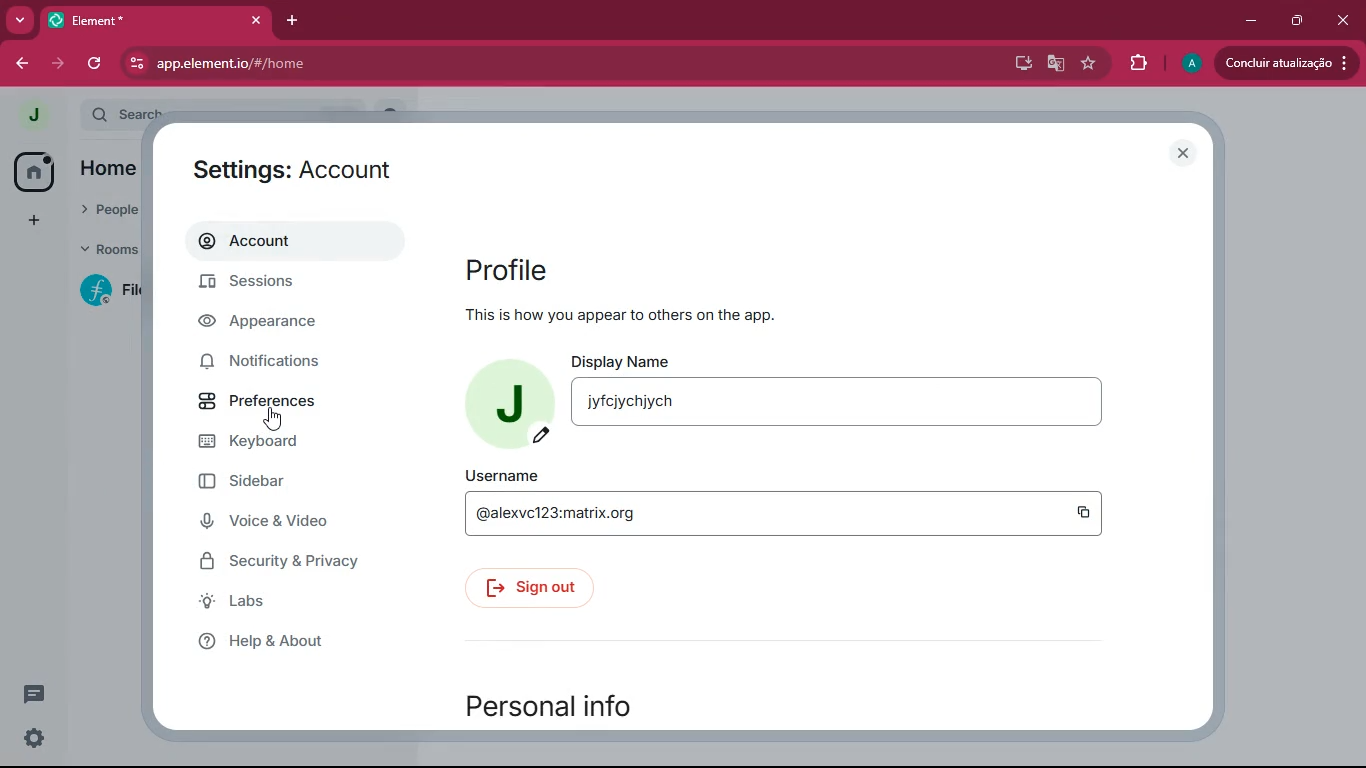 This screenshot has width=1366, height=768. What do you see at coordinates (847, 389) in the screenshot?
I see `display name jyfcjychjych` at bounding box center [847, 389].